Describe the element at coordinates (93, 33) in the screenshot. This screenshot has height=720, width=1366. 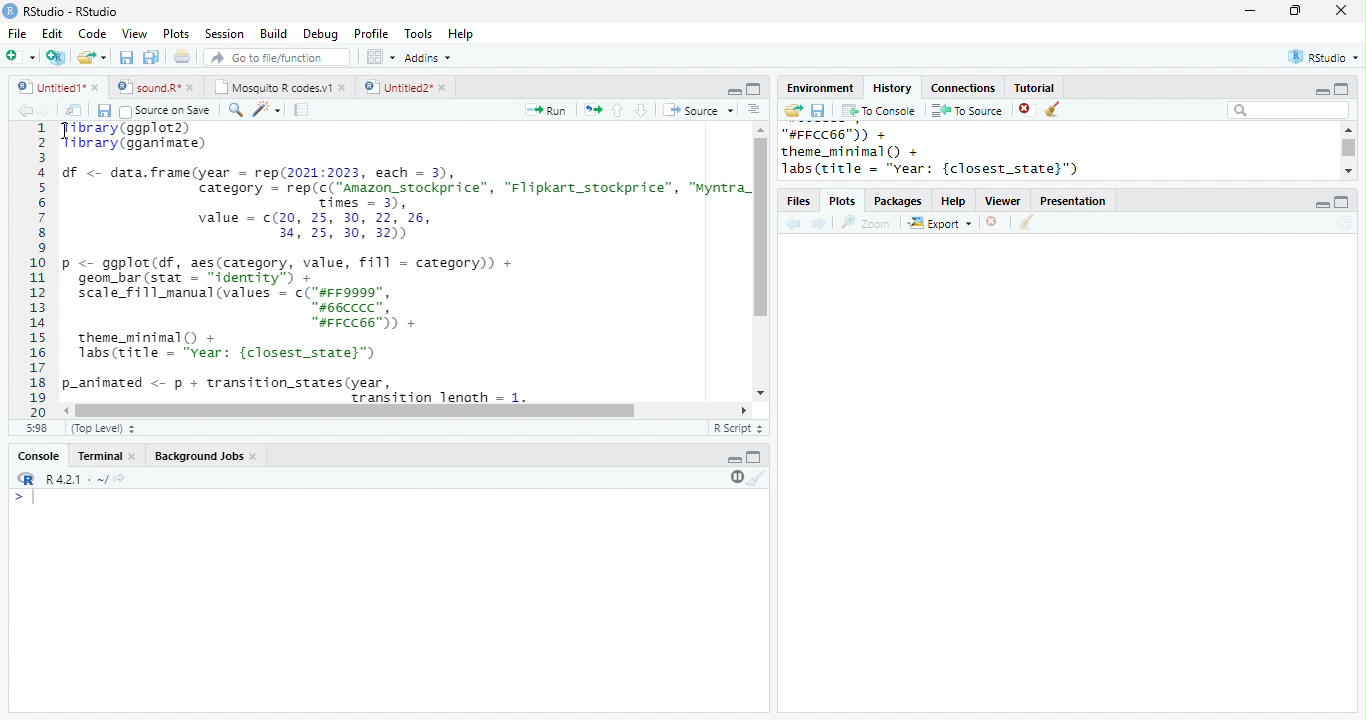
I see `Code` at that location.